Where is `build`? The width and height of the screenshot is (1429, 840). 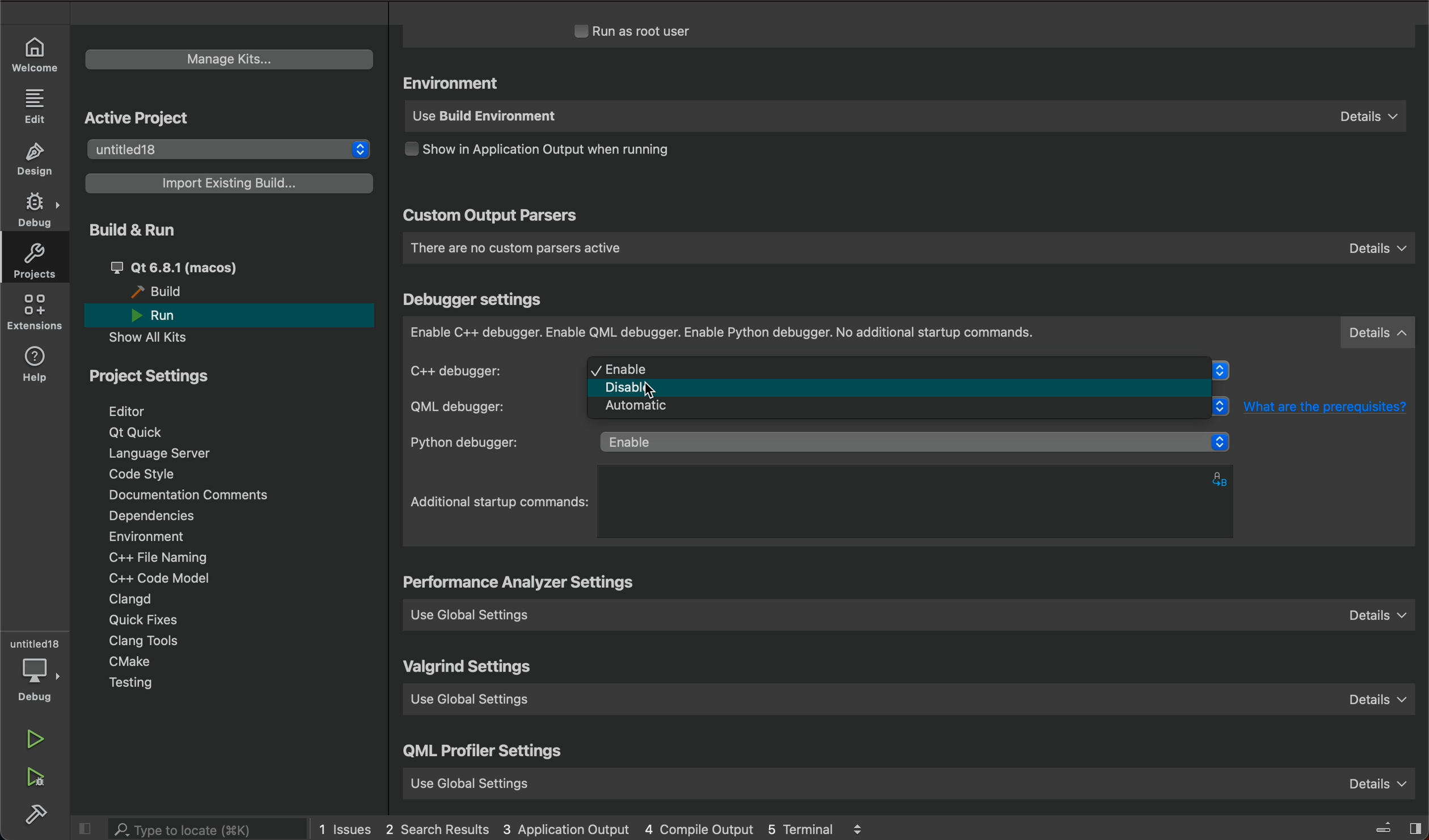
build is located at coordinates (38, 814).